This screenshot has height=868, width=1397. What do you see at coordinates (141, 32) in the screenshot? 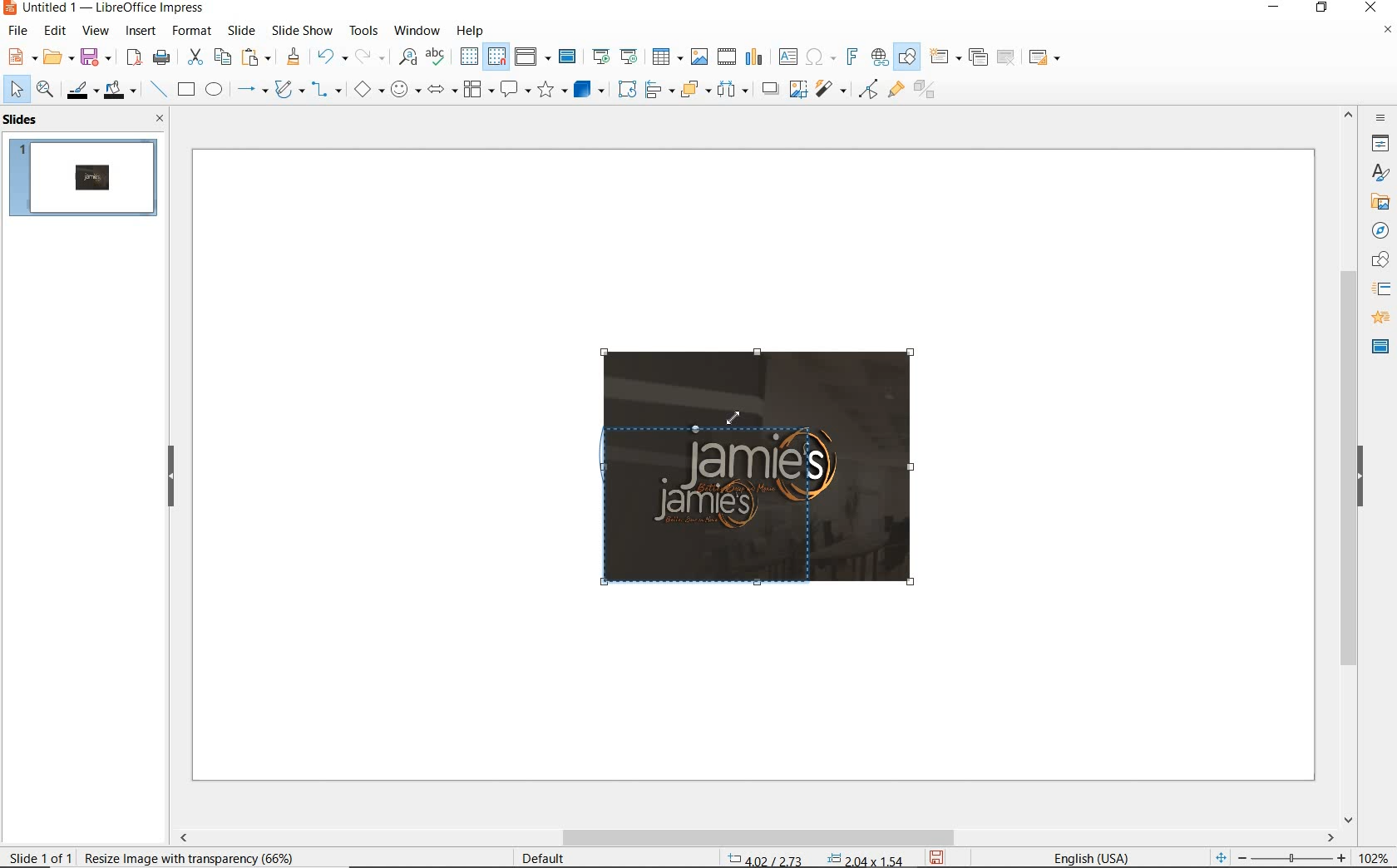
I see `insert` at bounding box center [141, 32].